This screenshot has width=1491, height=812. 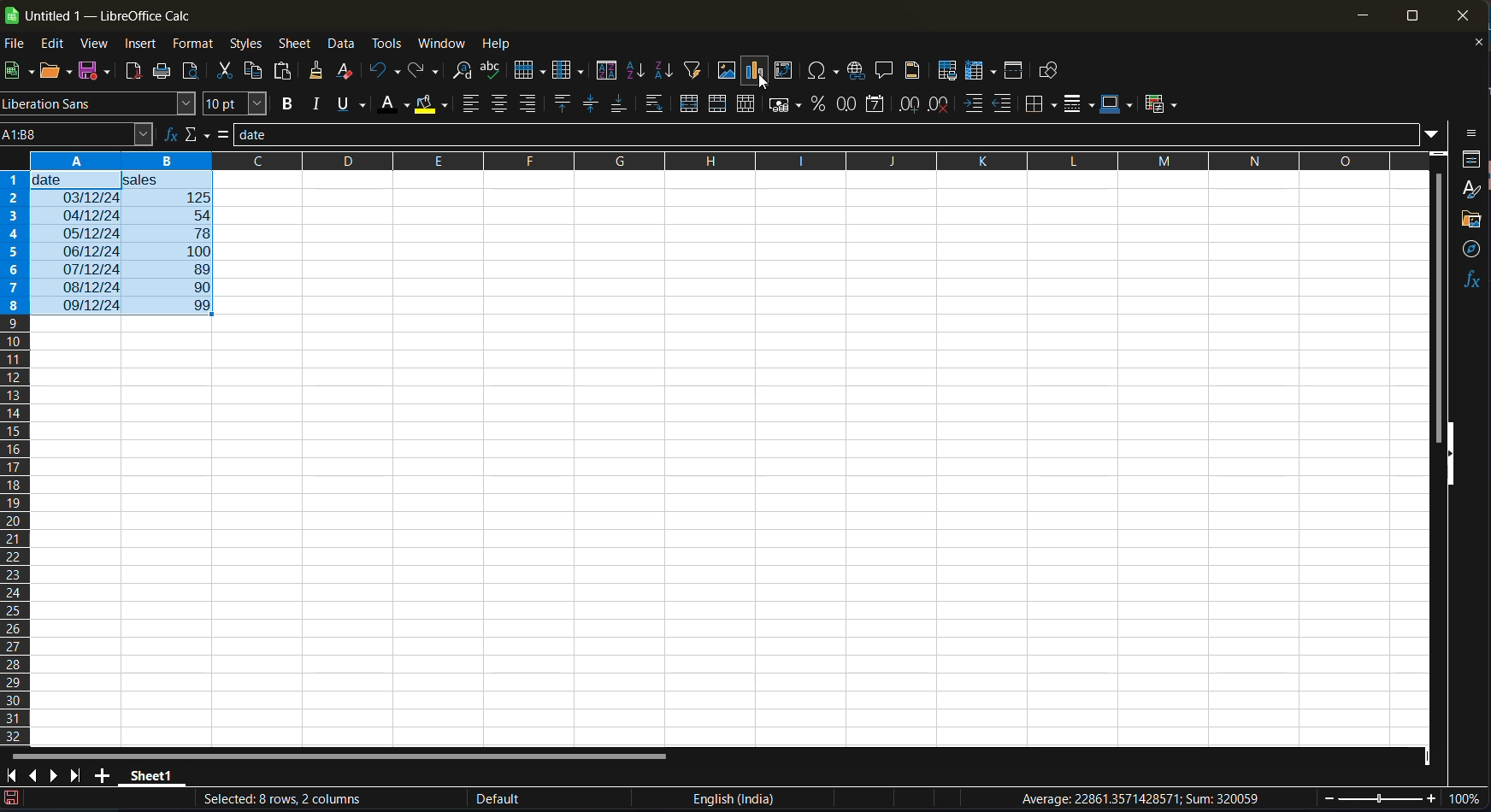 I want to click on view, so click(x=98, y=44).